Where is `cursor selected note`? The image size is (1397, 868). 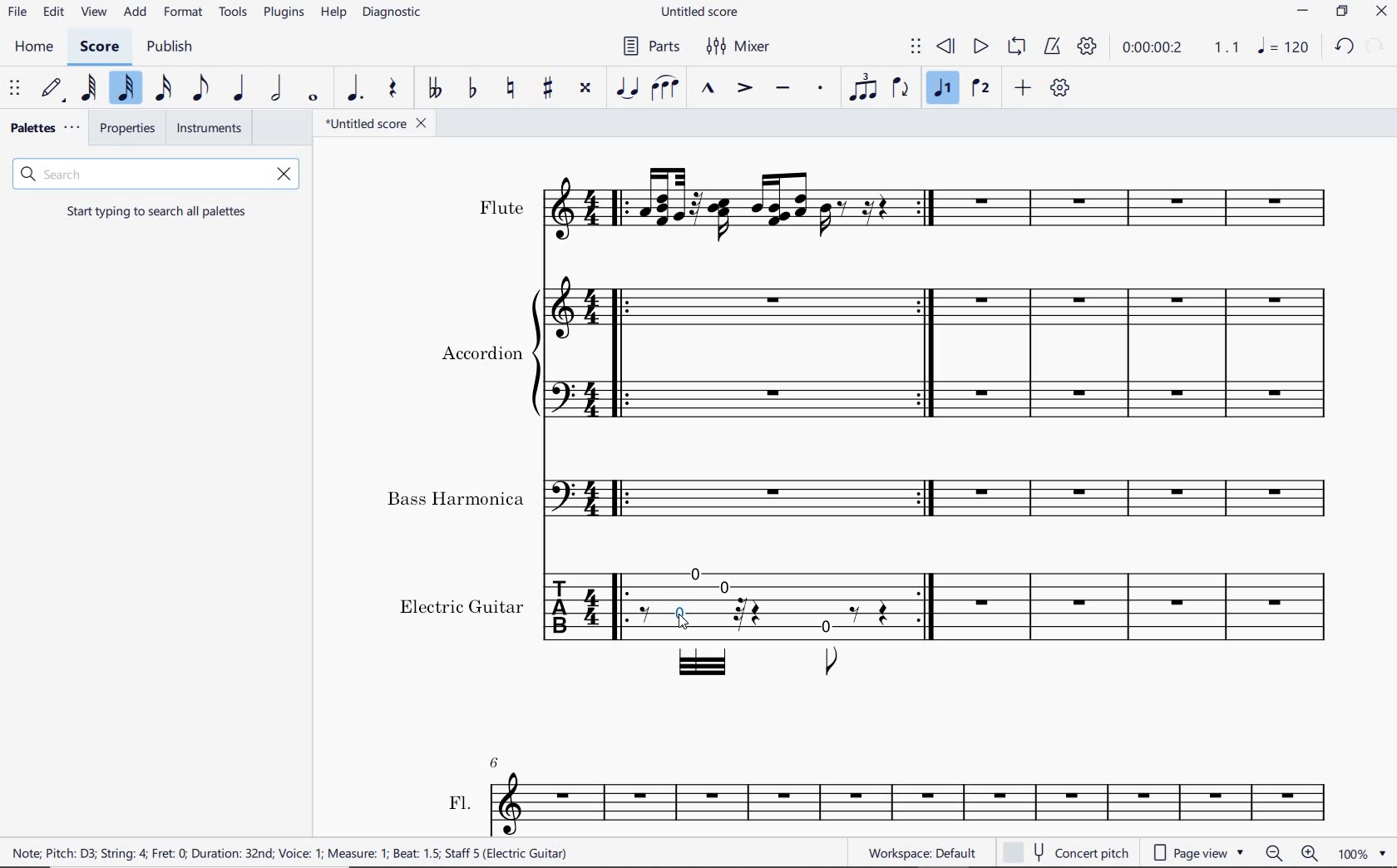 cursor selected note is located at coordinates (686, 620).